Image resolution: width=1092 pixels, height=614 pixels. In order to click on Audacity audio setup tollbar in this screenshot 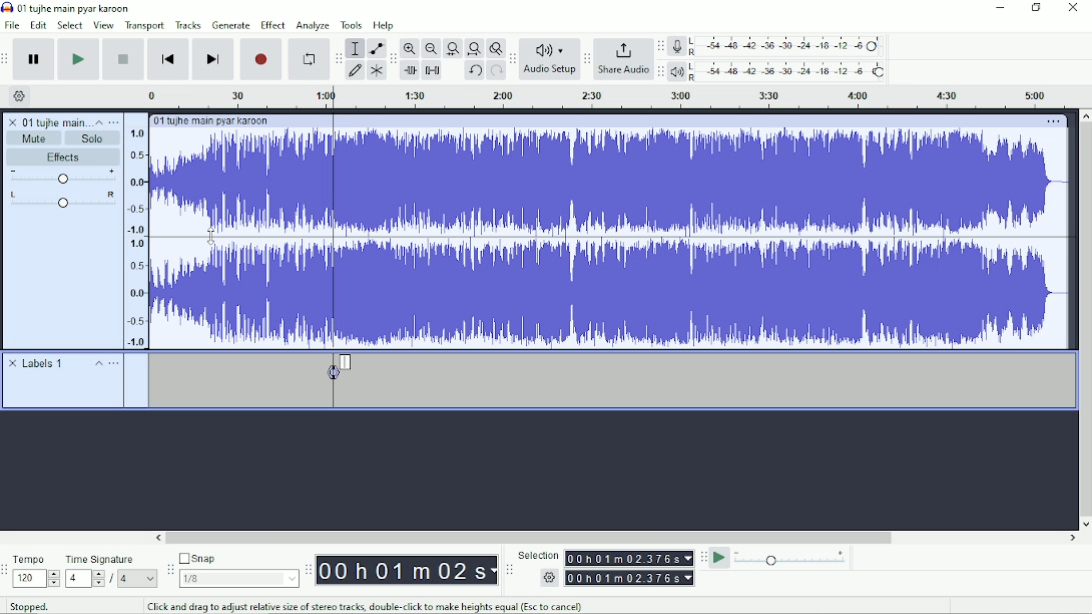, I will do `click(511, 59)`.